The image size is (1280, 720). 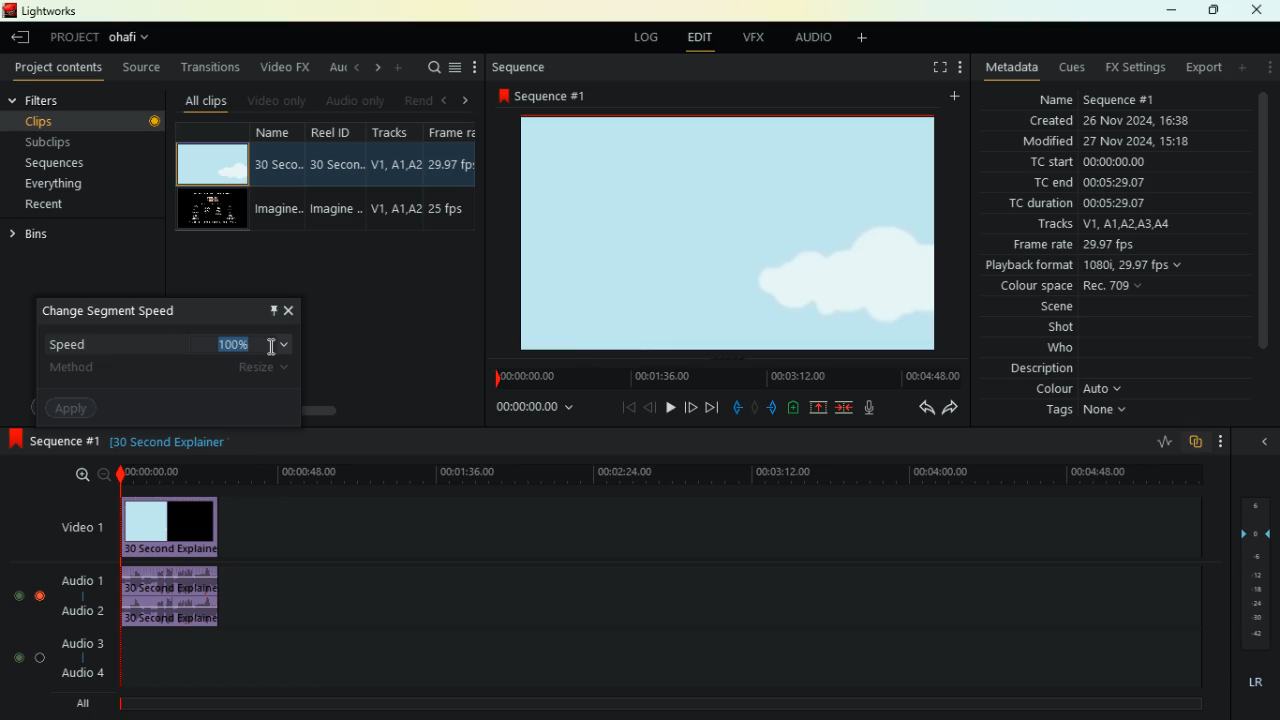 What do you see at coordinates (210, 211) in the screenshot?
I see `video` at bounding box center [210, 211].